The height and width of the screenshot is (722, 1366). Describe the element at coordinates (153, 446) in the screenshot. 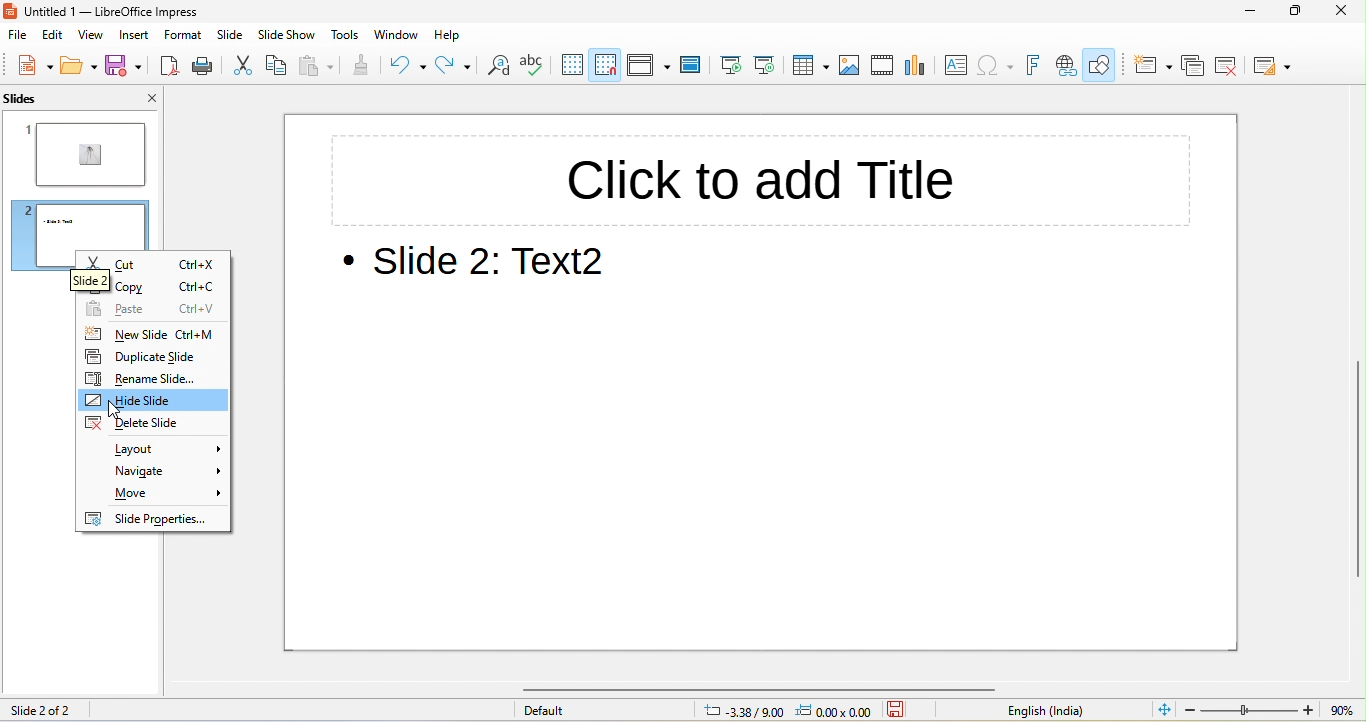

I see `layout` at that location.